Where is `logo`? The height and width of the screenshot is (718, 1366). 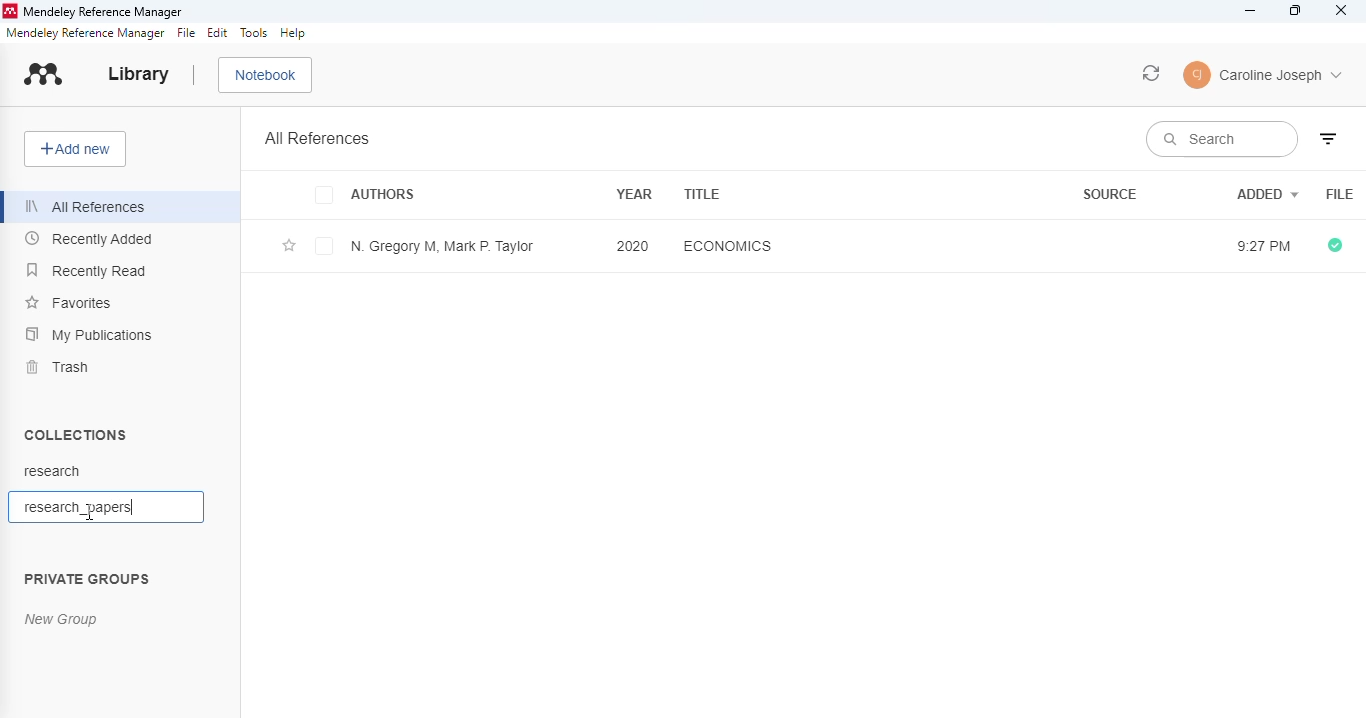 logo is located at coordinates (9, 12).